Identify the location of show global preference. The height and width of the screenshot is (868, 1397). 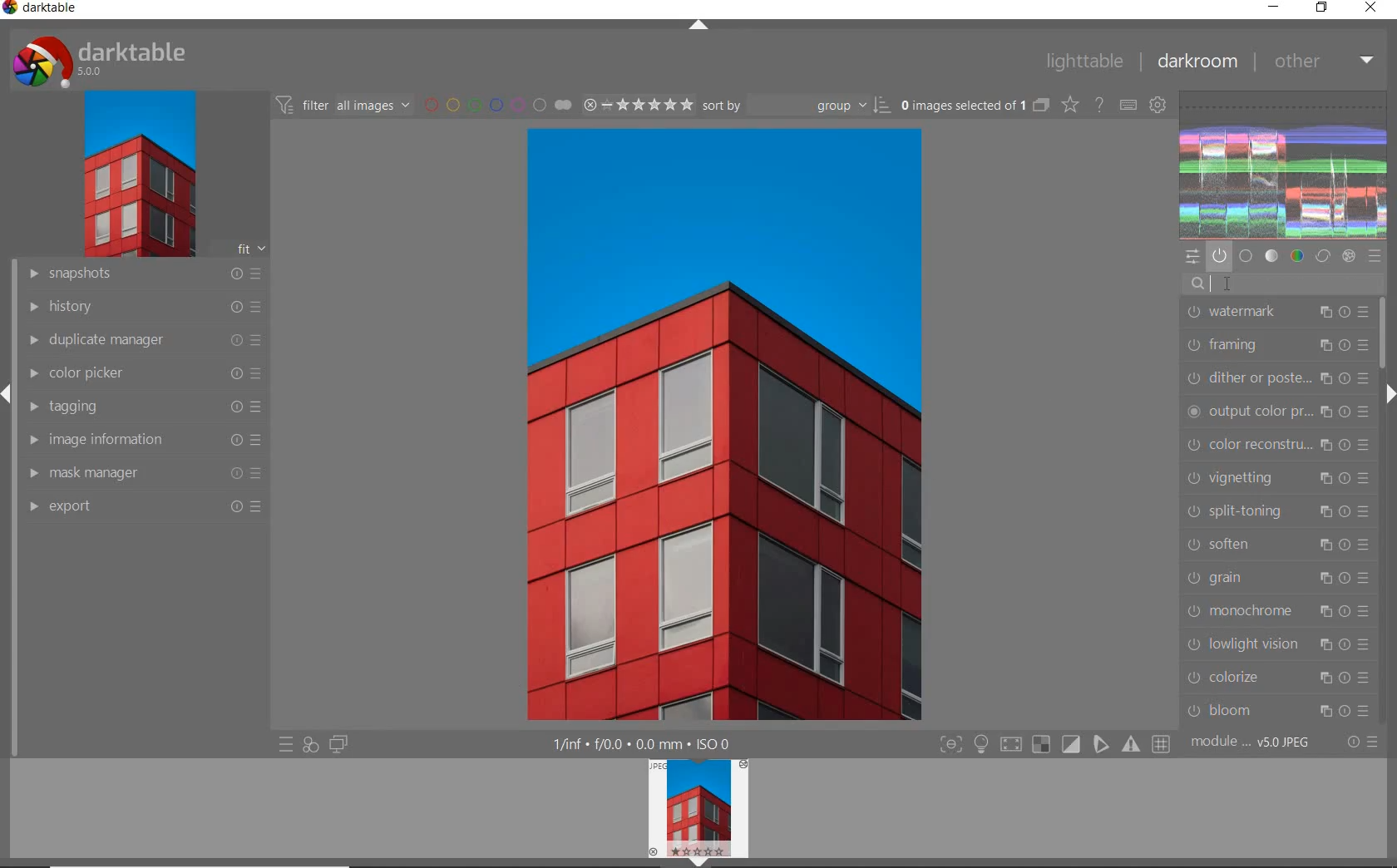
(1158, 106).